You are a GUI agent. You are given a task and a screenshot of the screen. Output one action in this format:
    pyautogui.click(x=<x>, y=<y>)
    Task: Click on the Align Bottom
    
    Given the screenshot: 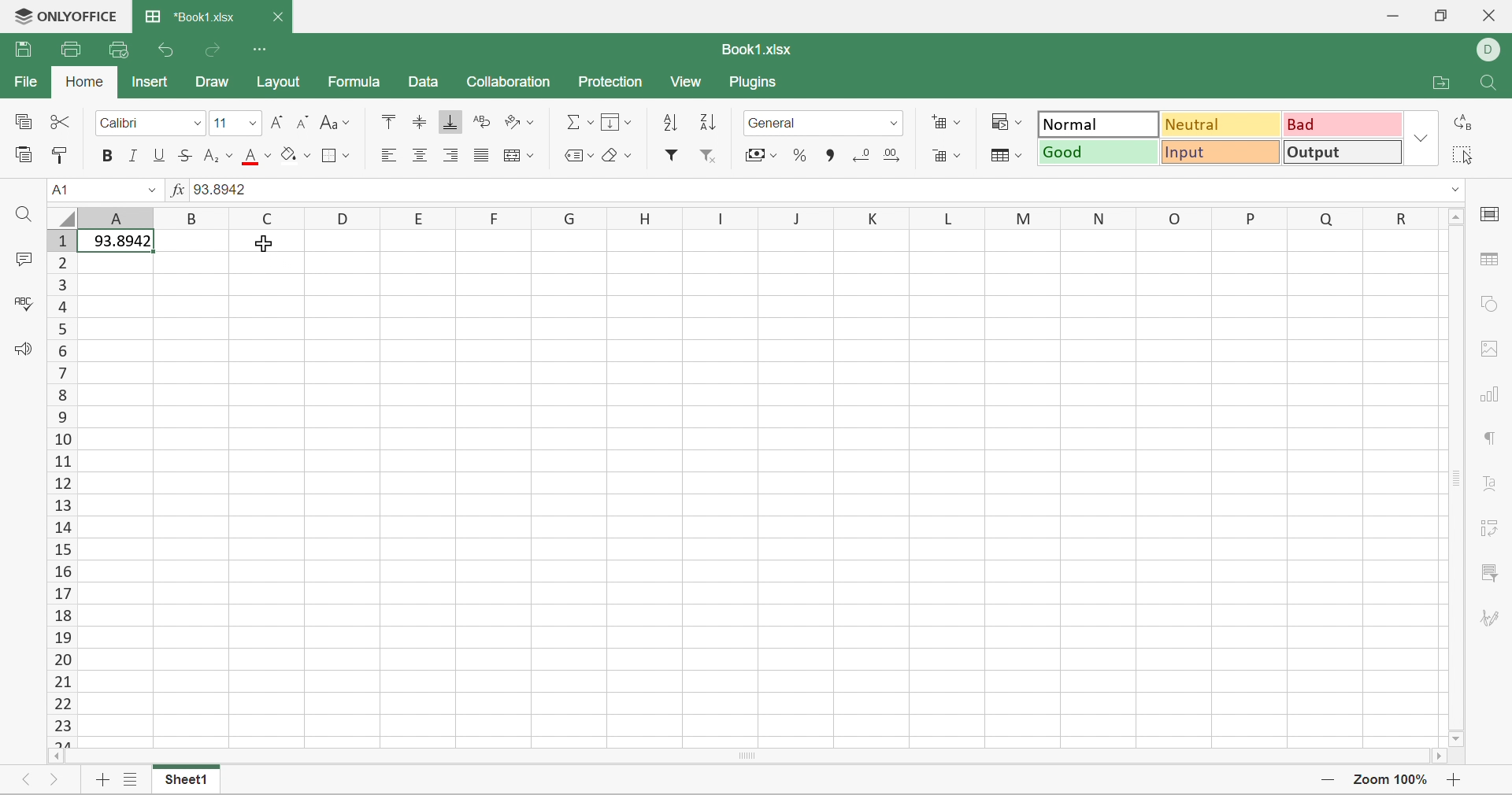 What is the action you would take?
    pyautogui.click(x=450, y=122)
    